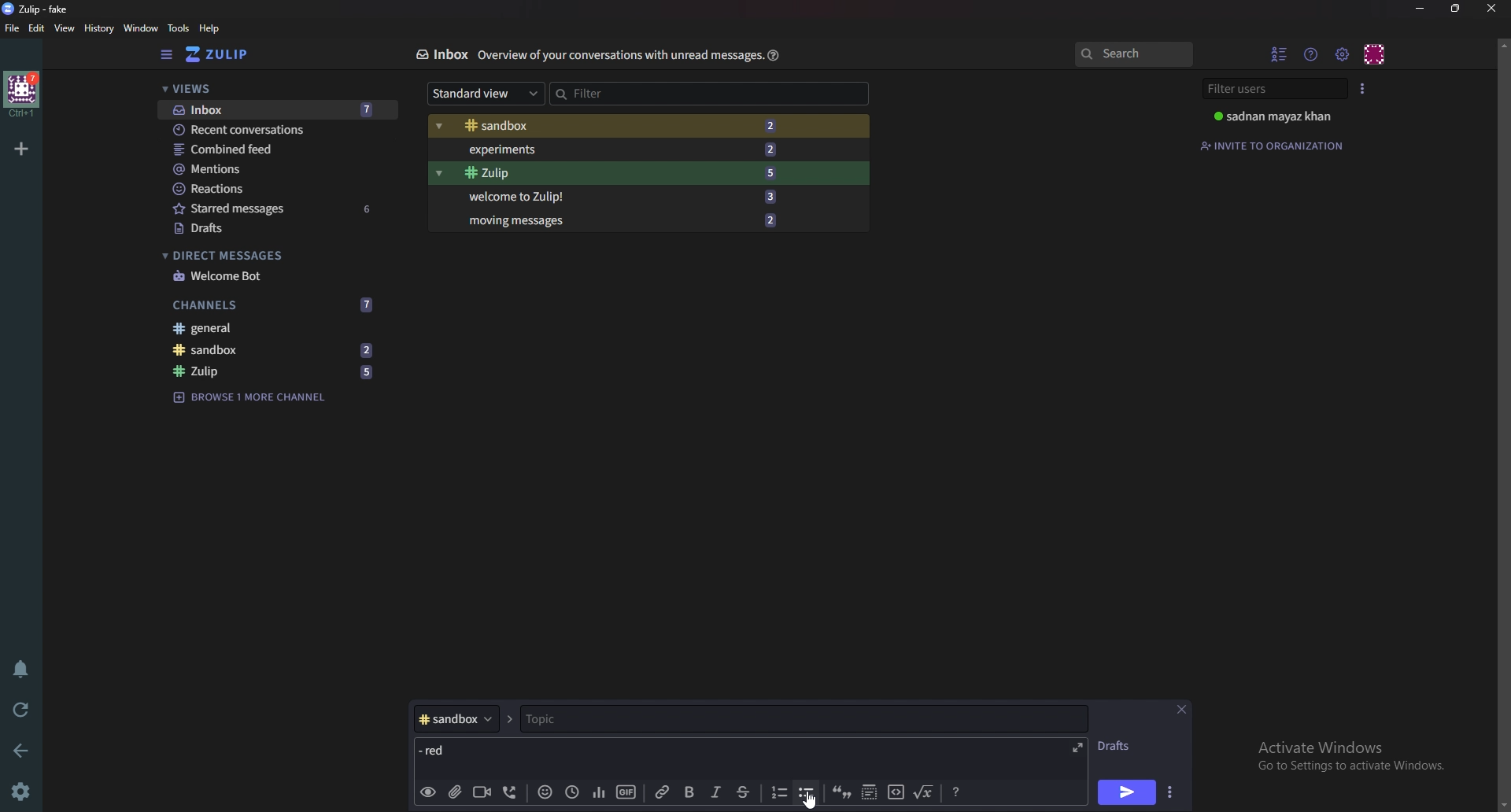 The width and height of the screenshot is (1511, 812). Describe the element at coordinates (271, 256) in the screenshot. I see `Direct messages` at that location.